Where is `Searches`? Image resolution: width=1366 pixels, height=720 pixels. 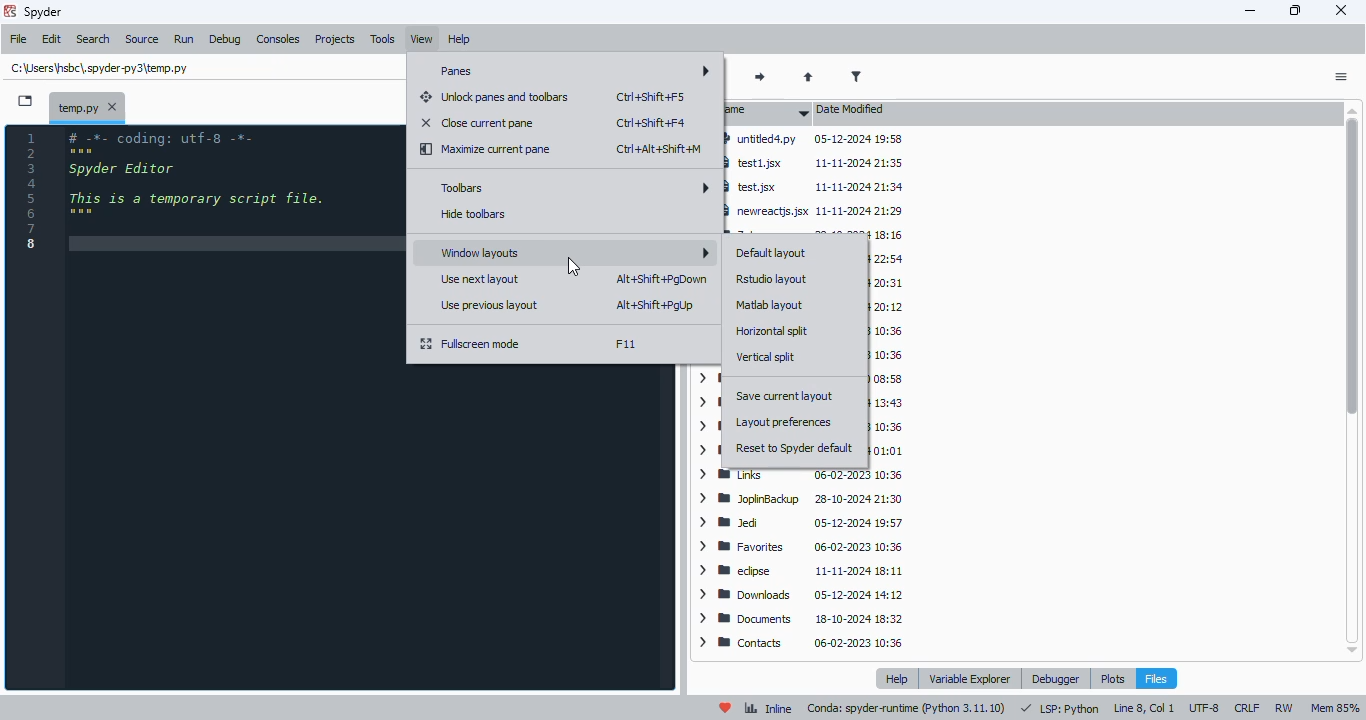
Searches is located at coordinates (884, 331).